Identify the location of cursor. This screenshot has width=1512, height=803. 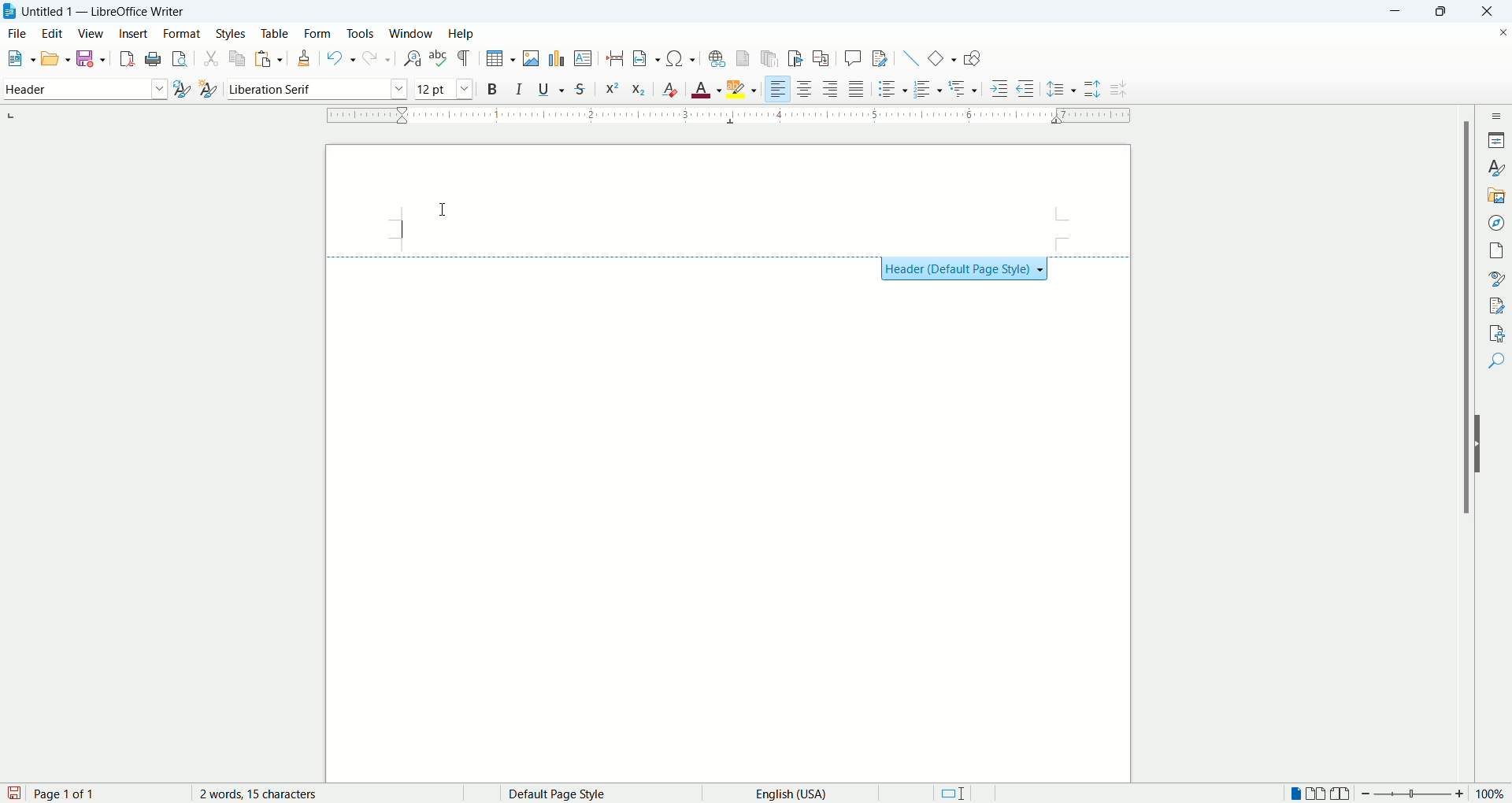
(445, 209).